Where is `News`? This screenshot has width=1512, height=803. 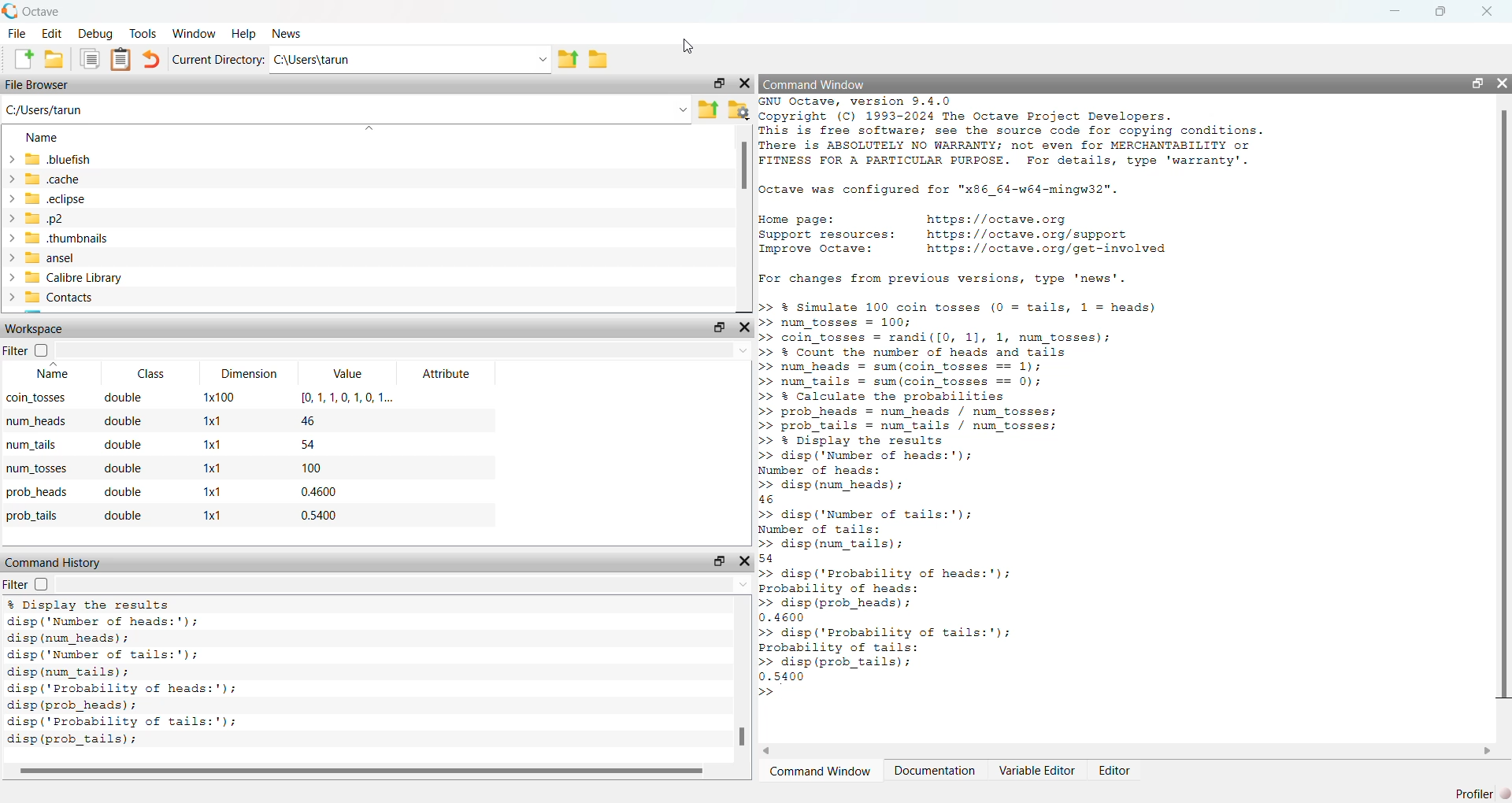 News is located at coordinates (288, 33).